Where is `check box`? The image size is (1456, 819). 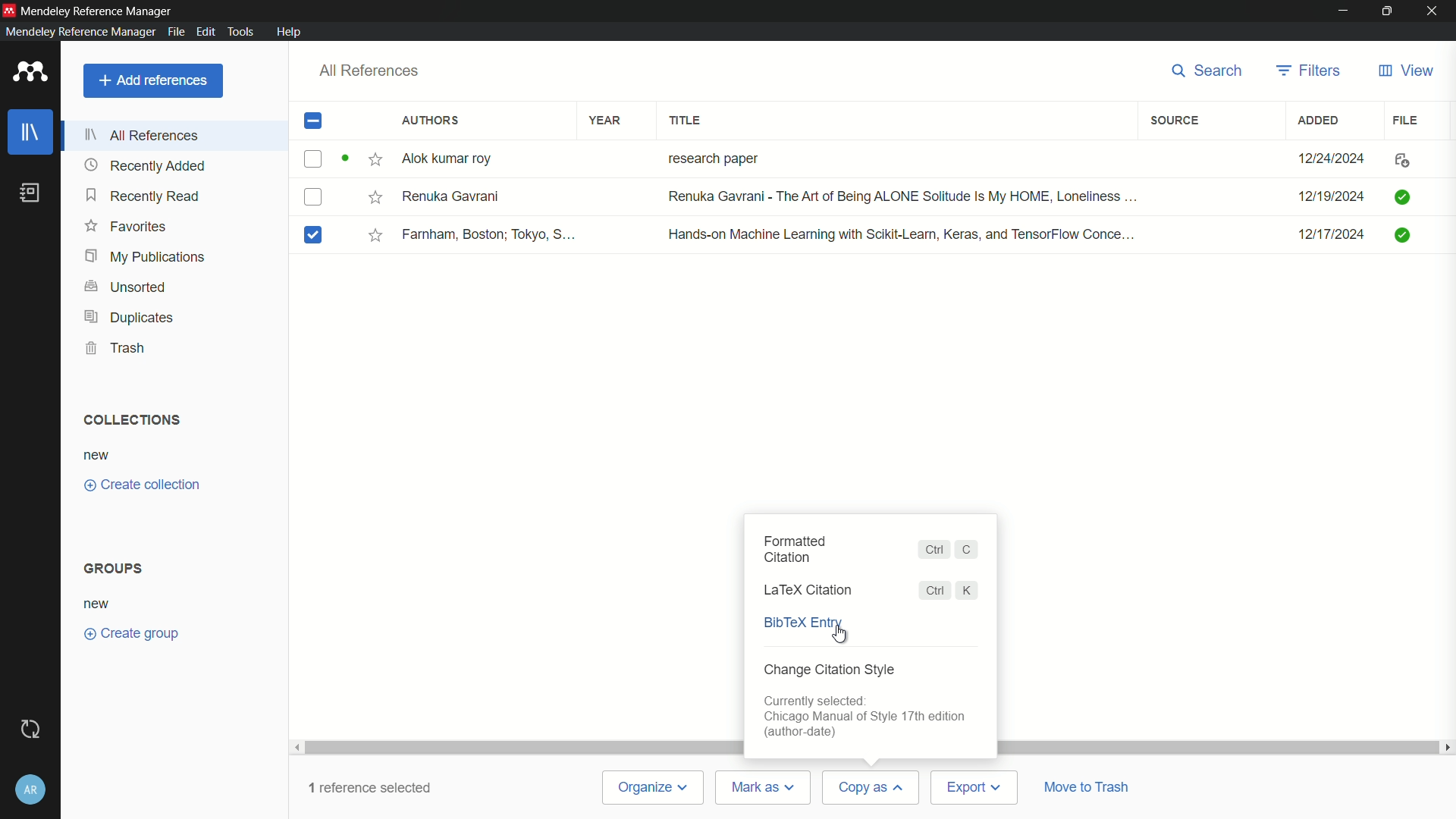 check box is located at coordinates (314, 121).